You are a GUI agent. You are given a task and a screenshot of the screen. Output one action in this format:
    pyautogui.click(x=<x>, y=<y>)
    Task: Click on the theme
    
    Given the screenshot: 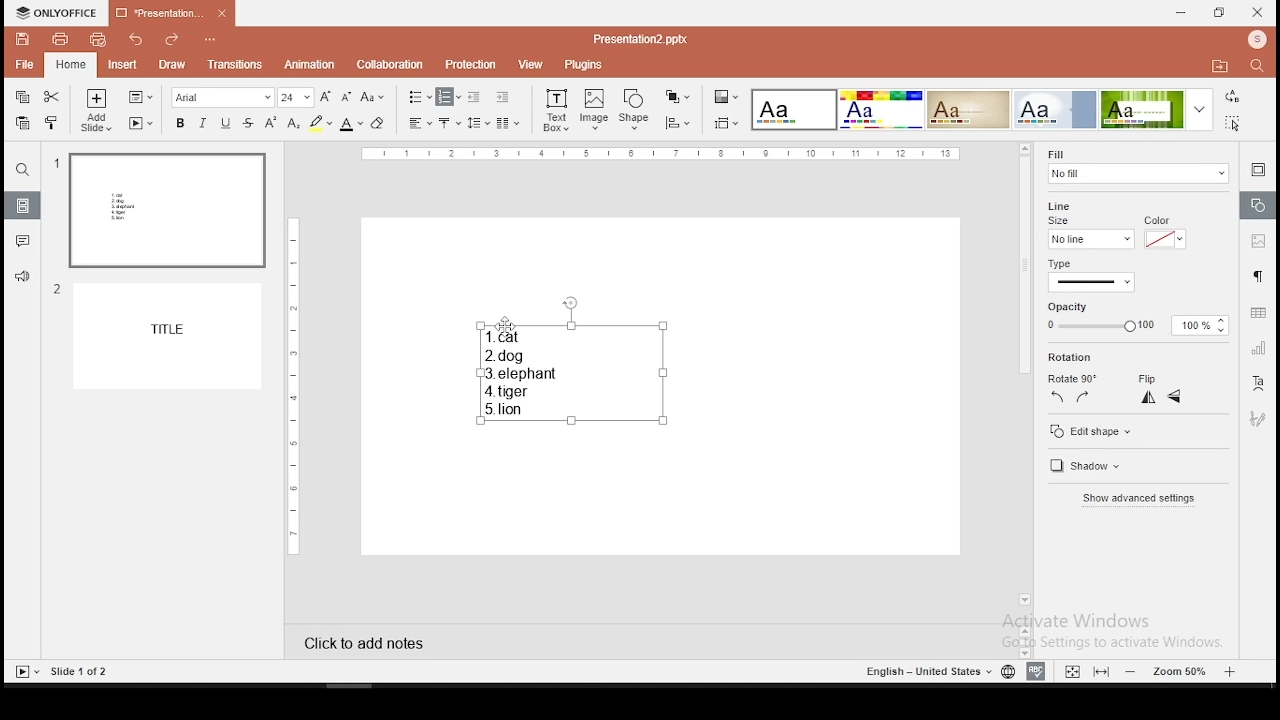 What is the action you would take?
    pyautogui.click(x=795, y=110)
    